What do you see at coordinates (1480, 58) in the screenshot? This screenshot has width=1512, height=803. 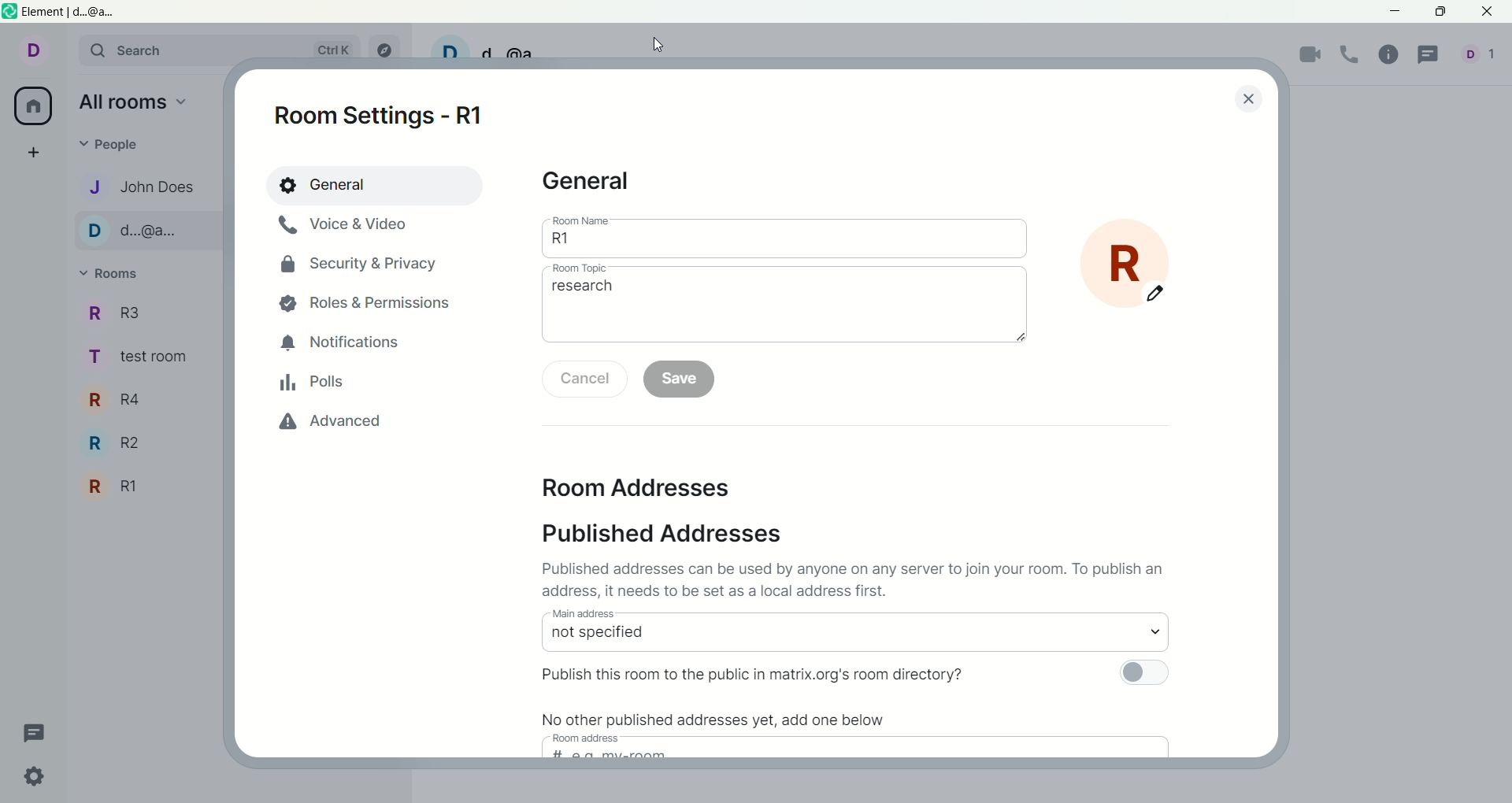 I see `d1 ` at bounding box center [1480, 58].